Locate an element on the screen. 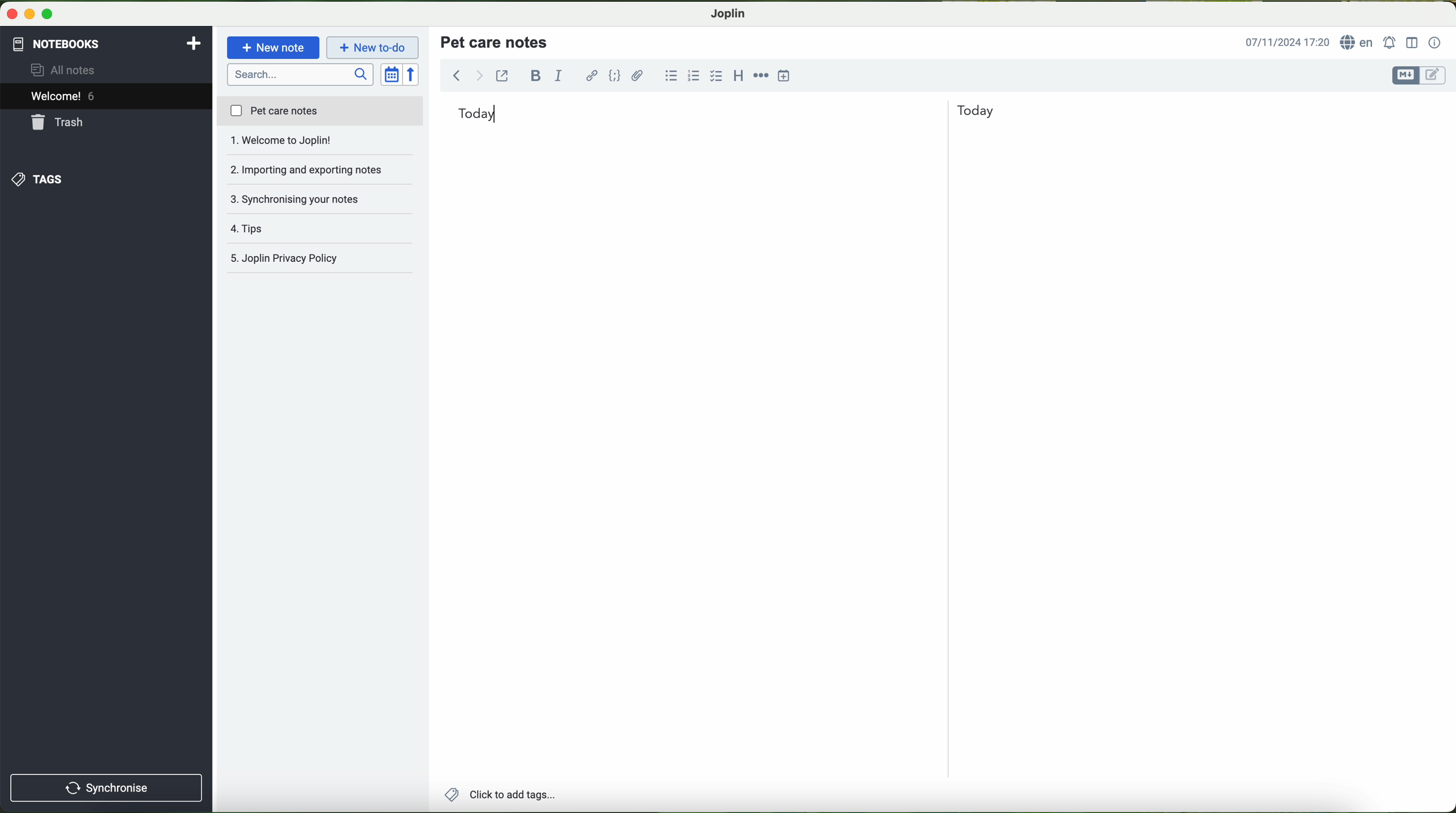  attach file is located at coordinates (638, 75).